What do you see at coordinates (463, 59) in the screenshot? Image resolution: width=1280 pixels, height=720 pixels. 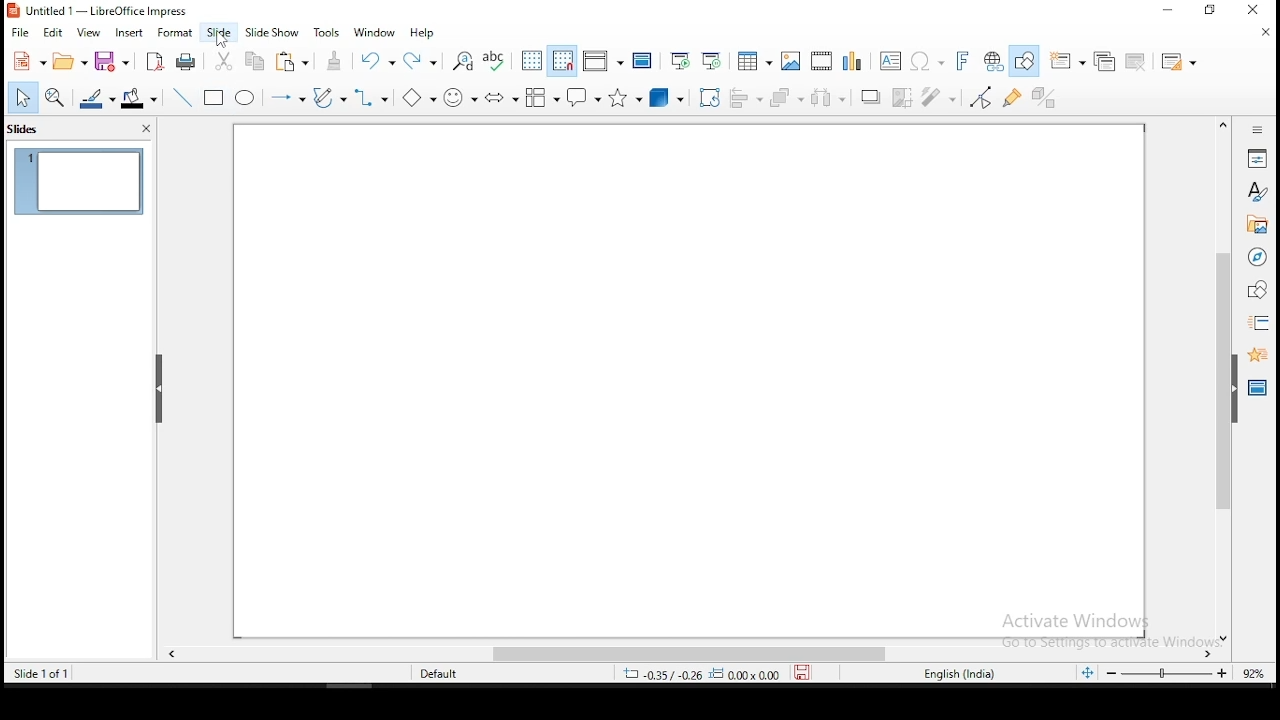 I see `find and replace` at bounding box center [463, 59].